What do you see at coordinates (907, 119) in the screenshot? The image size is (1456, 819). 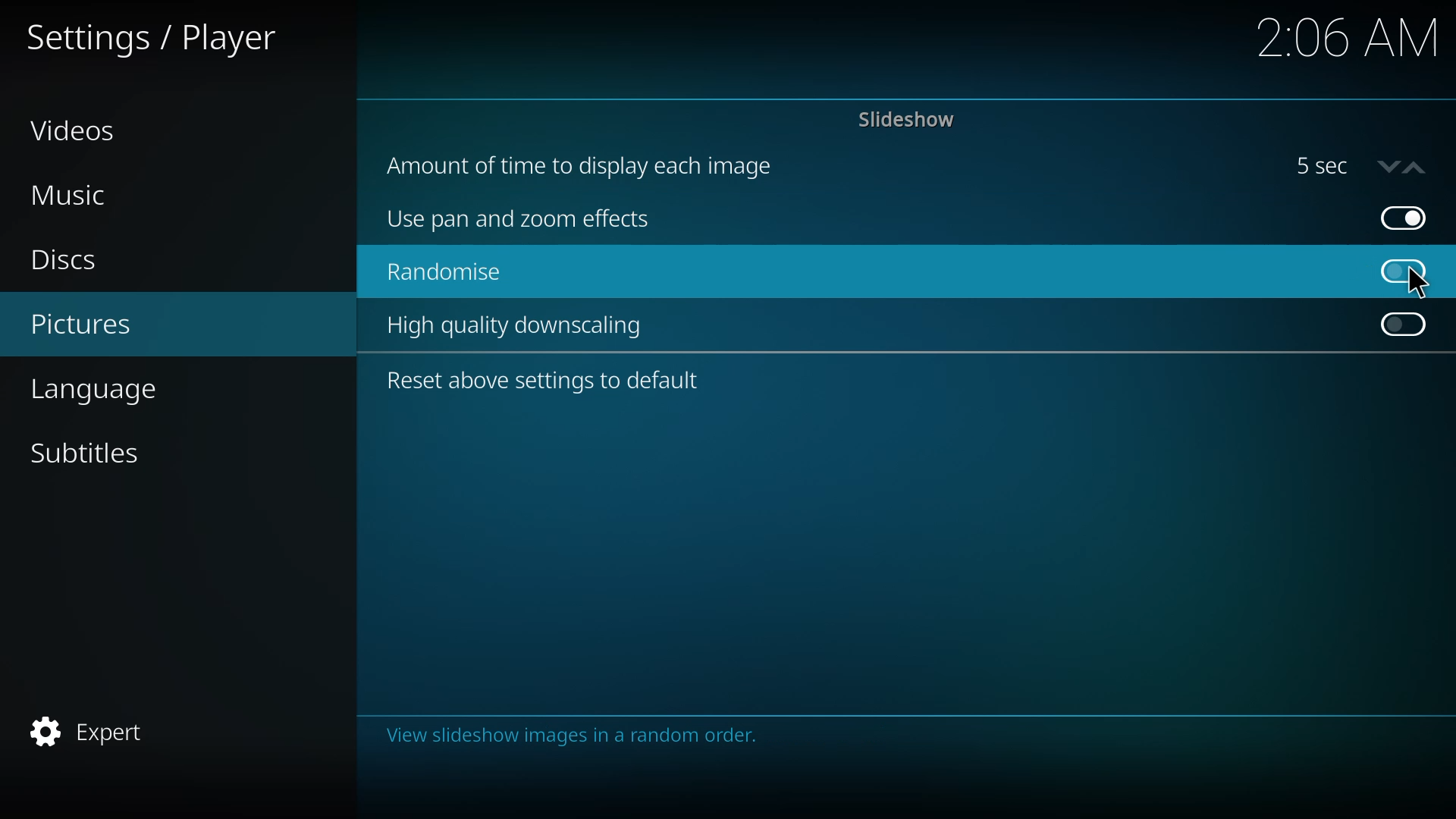 I see `slideshow` at bounding box center [907, 119].